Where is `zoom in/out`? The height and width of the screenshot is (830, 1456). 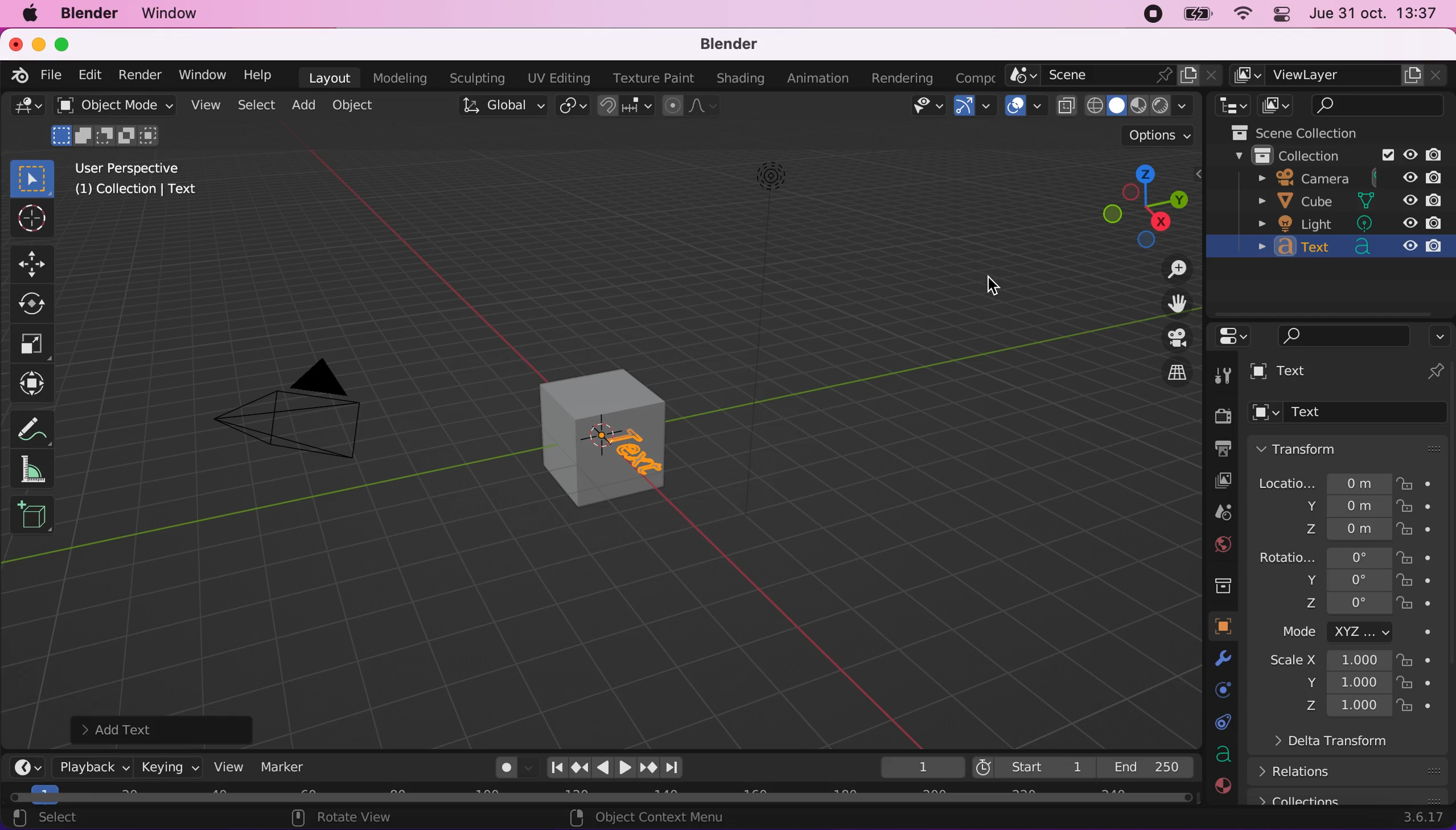
zoom in/out is located at coordinates (1169, 269).